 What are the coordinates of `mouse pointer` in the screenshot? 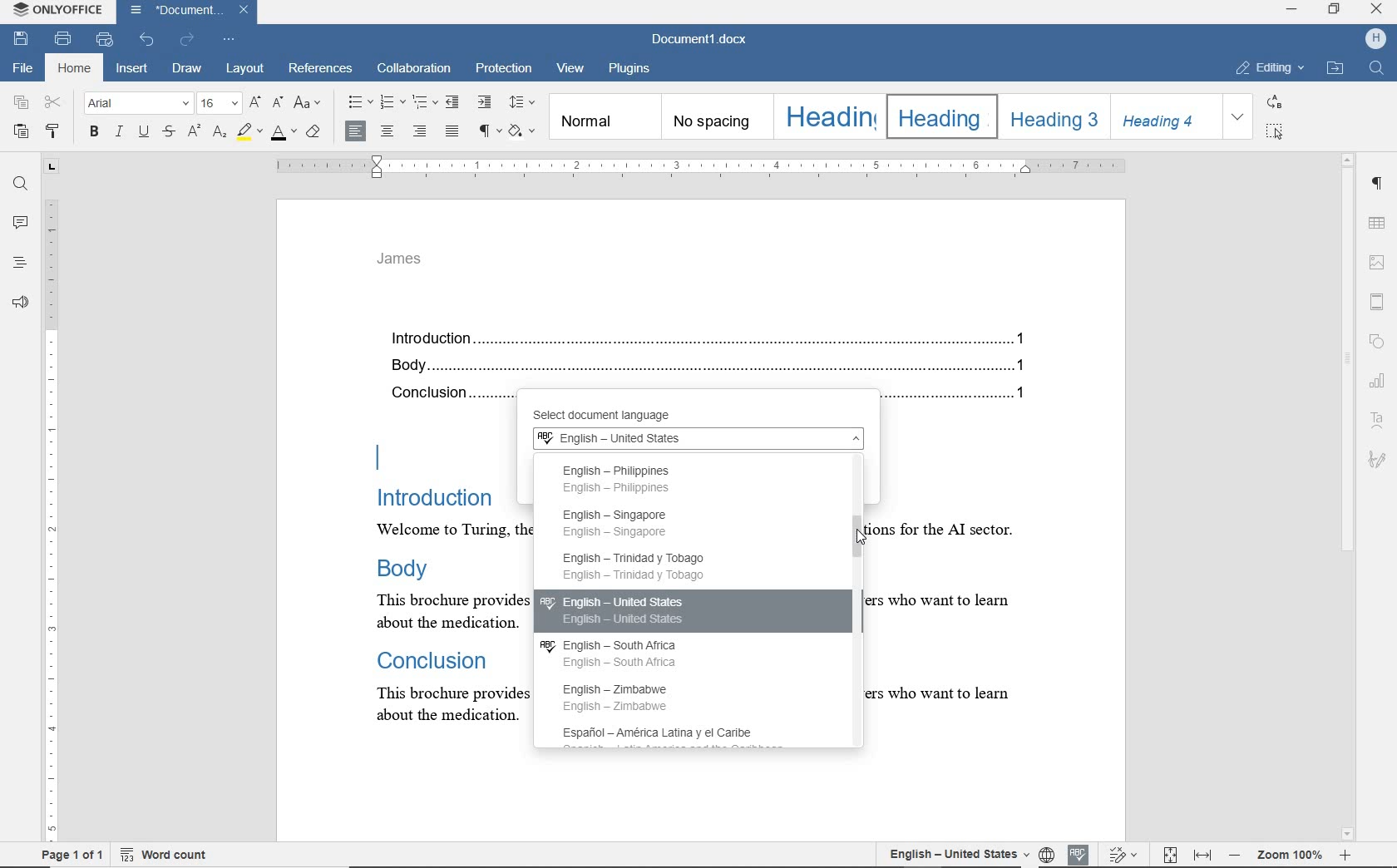 It's located at (858, 537).